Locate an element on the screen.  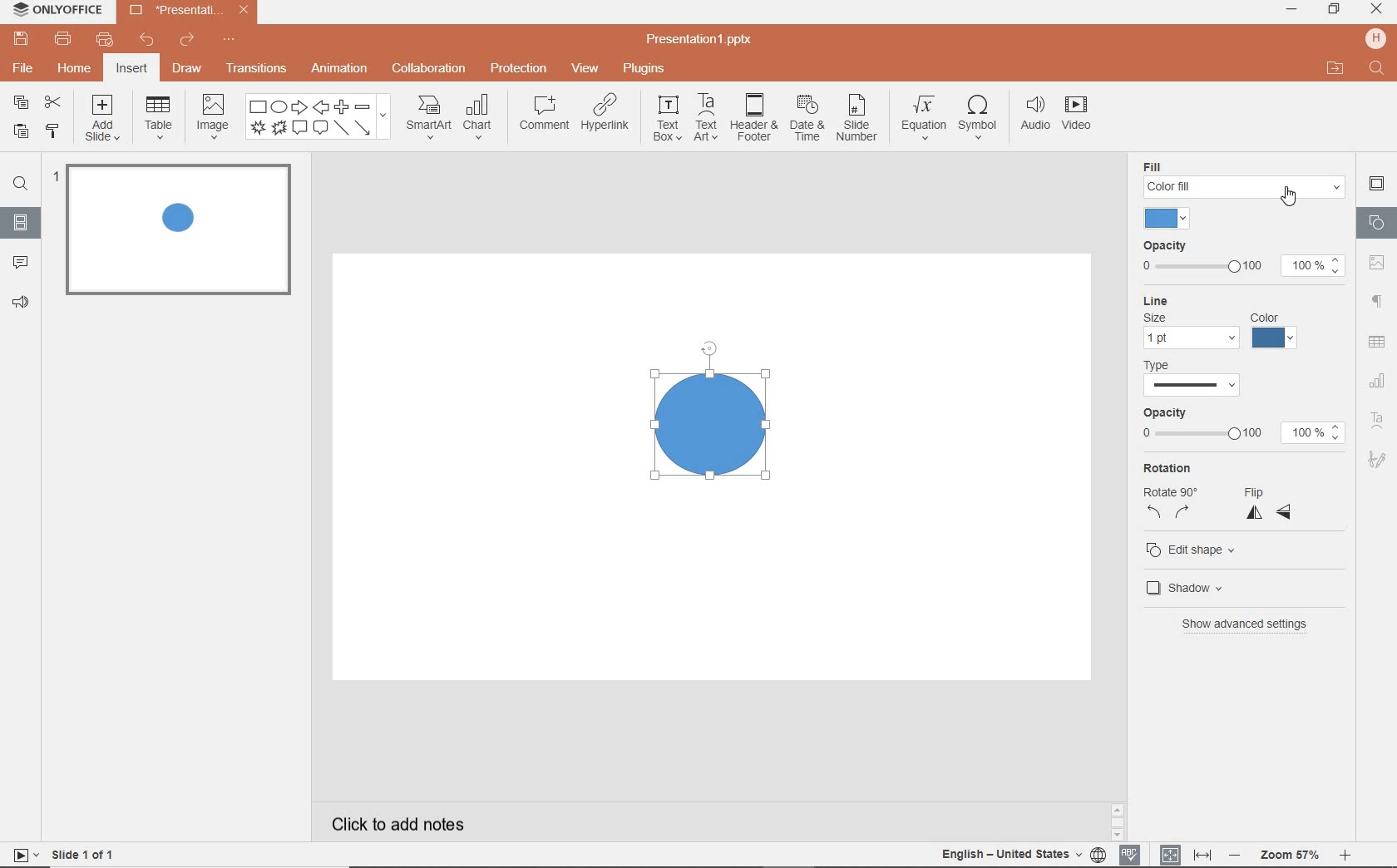
slide settings is located at coordinates (1376, 184).